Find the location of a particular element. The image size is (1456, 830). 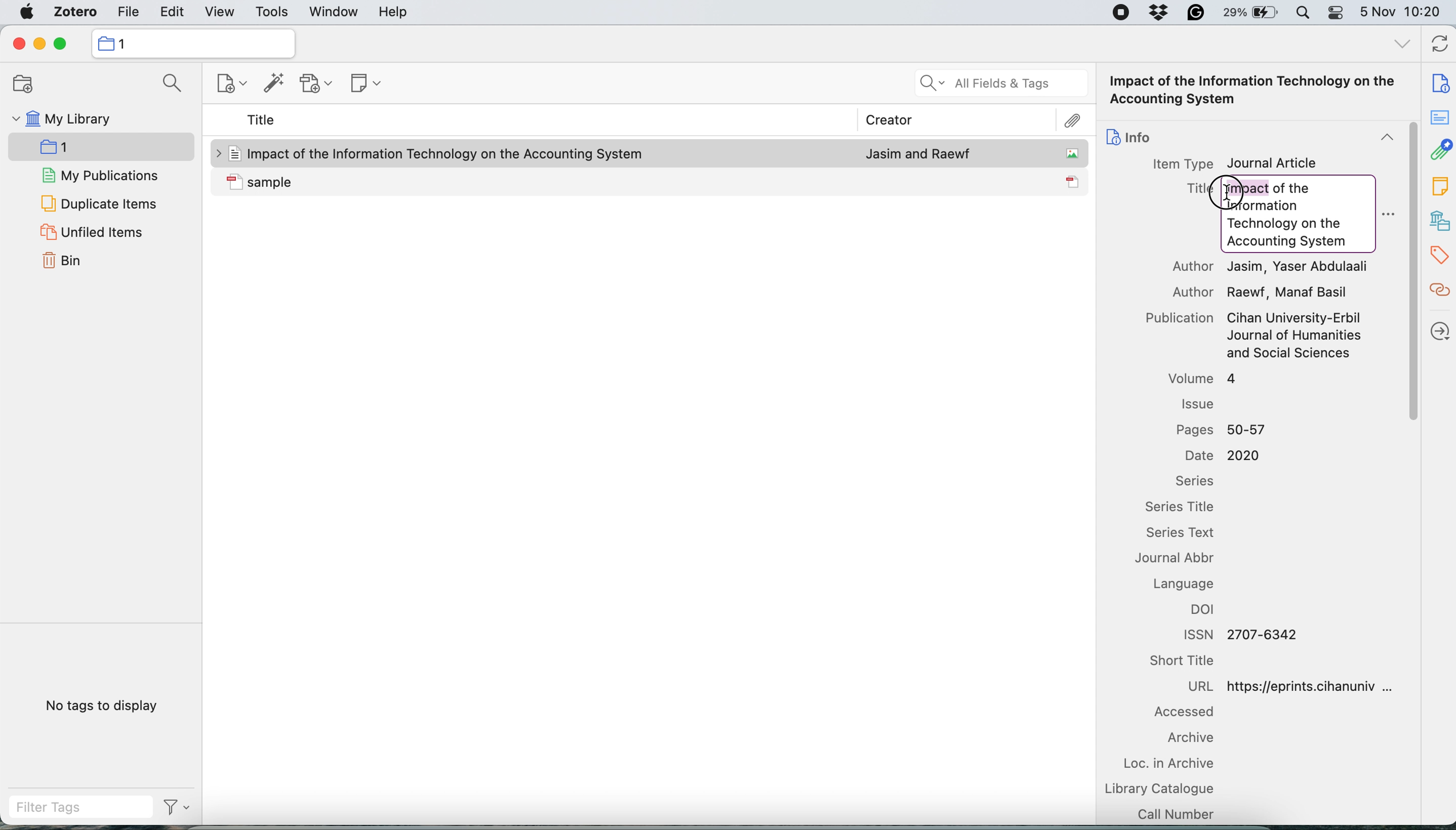

title is located at coordinates (262, 122).